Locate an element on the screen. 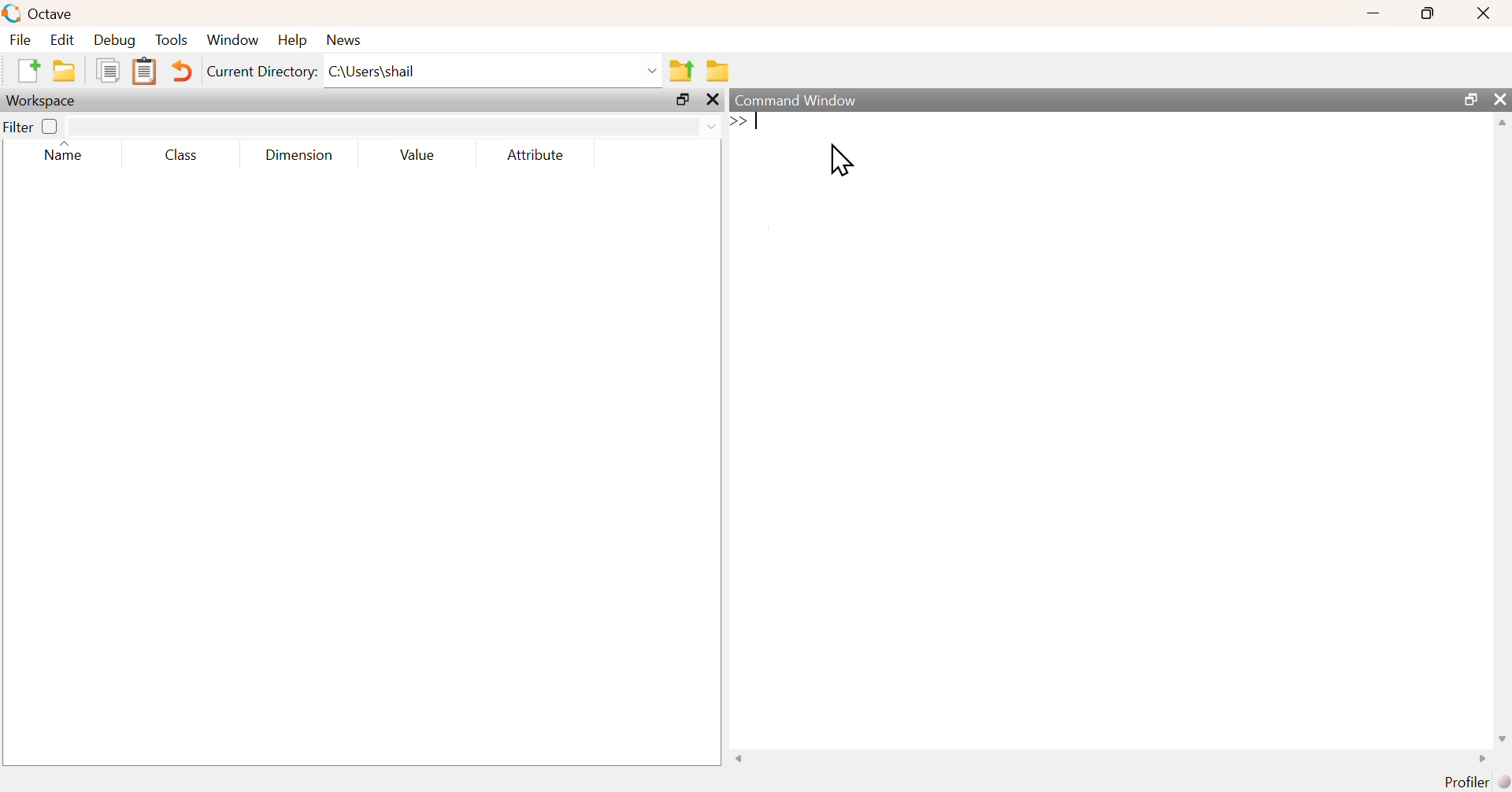  Command Window is located at coordinates (806, 99).